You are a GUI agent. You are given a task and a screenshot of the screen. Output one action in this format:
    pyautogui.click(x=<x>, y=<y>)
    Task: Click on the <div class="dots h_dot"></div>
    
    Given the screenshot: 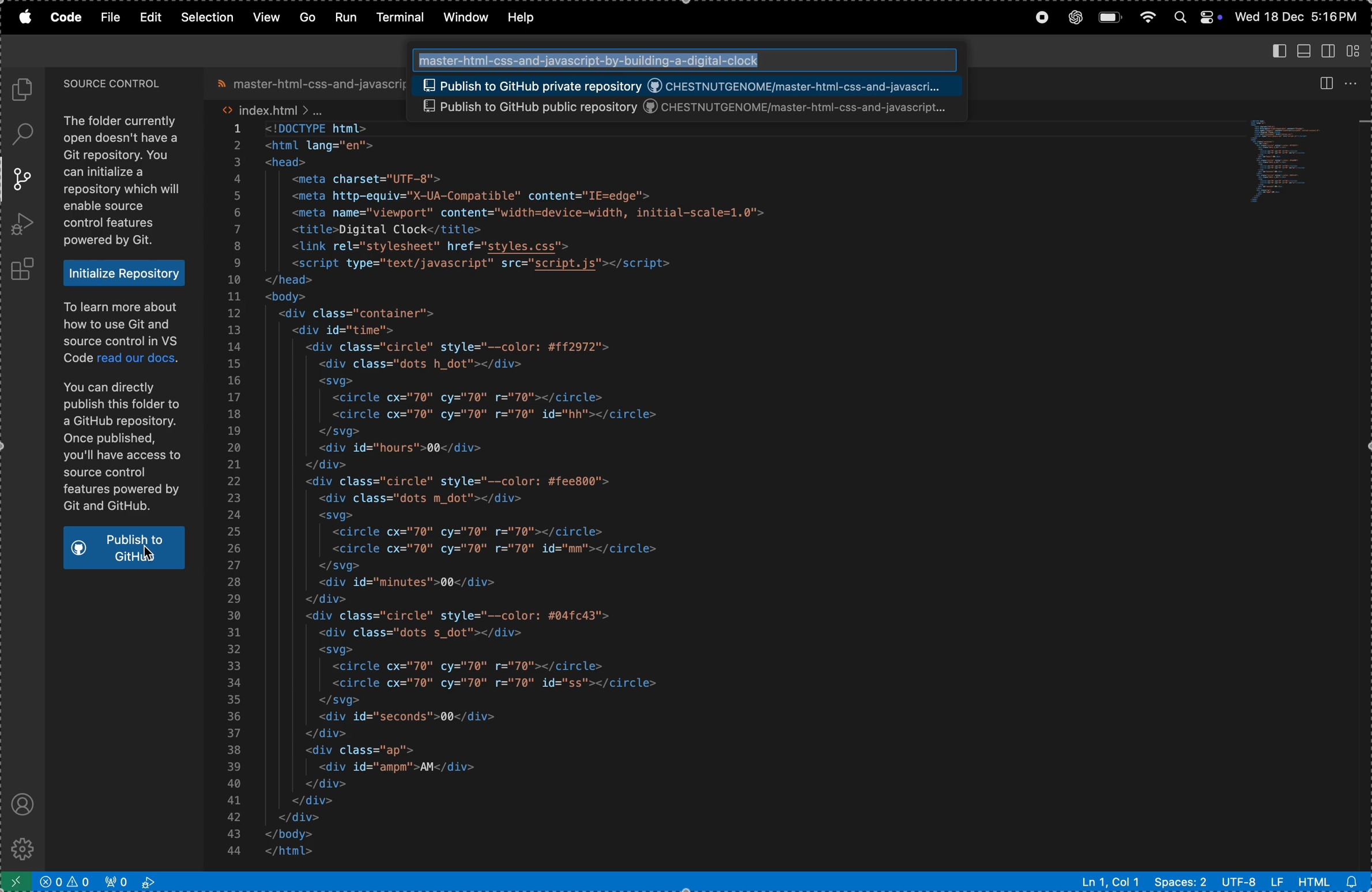 What is the action you would take?
    pyautogui.click(x=438, y=364)
    